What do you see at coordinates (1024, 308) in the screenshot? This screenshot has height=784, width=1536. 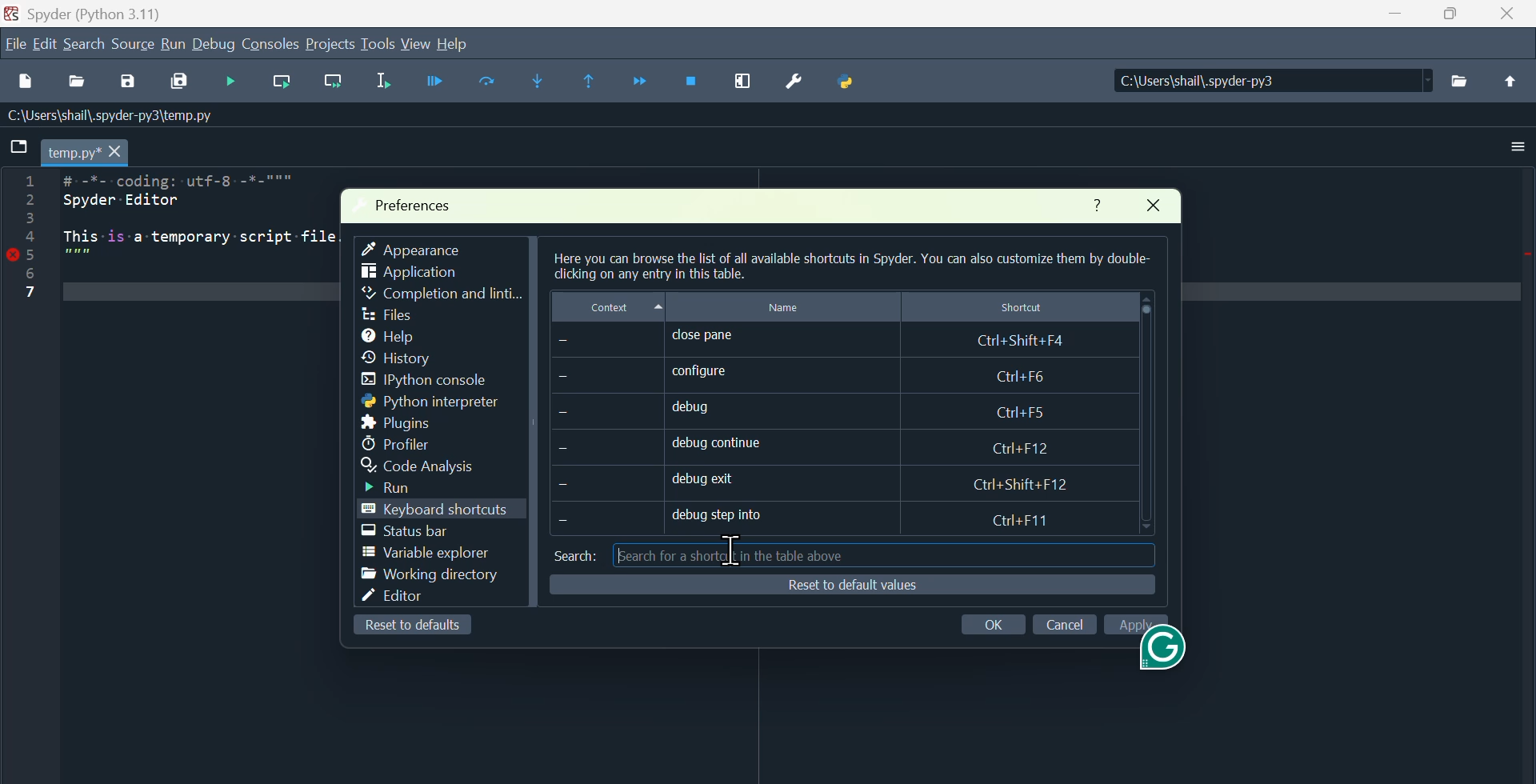 I see `shortcut` at bounding box center [1024, 308].